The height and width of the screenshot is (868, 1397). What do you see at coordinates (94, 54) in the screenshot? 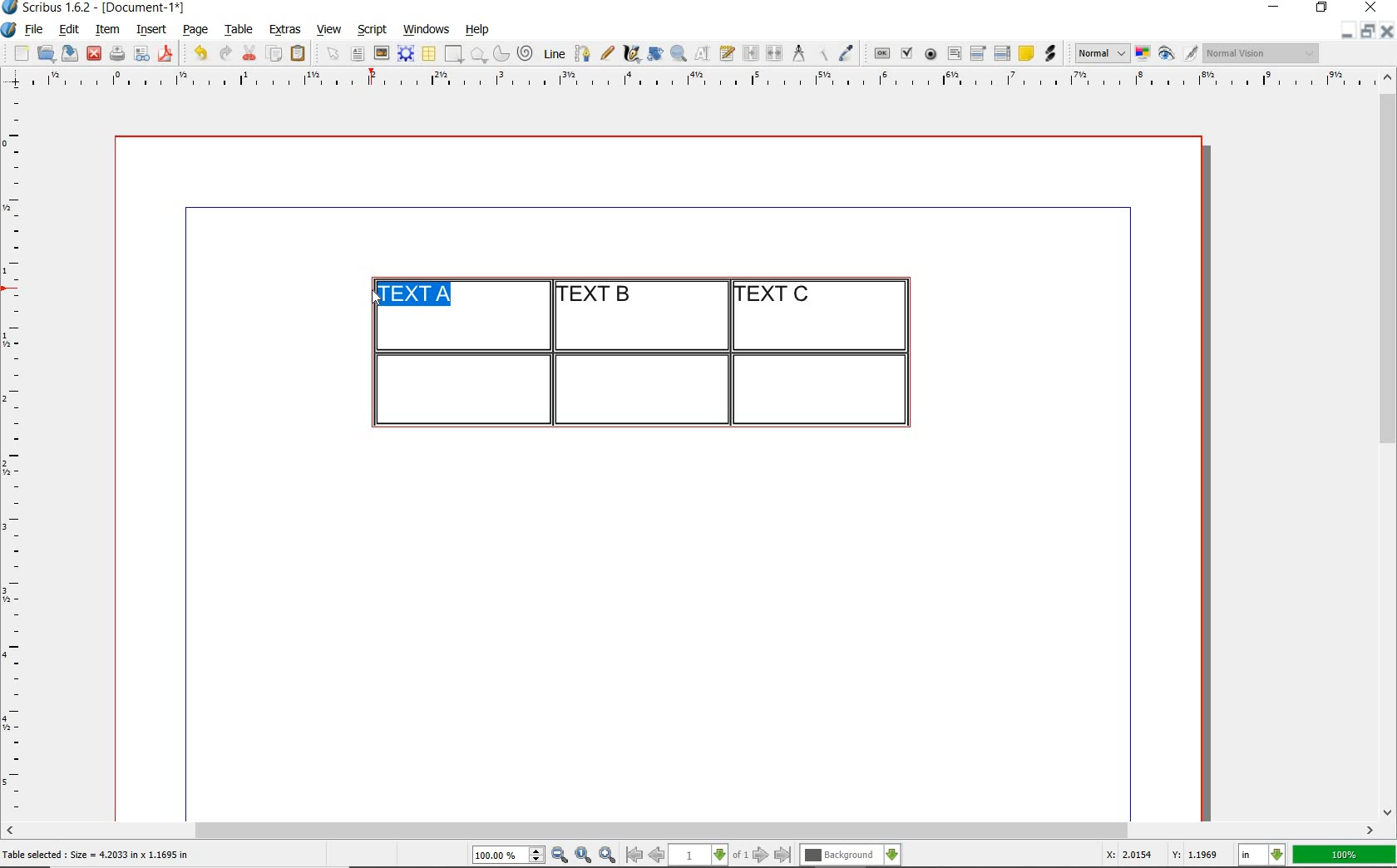
I see `close` at bounding box center [94, 54].